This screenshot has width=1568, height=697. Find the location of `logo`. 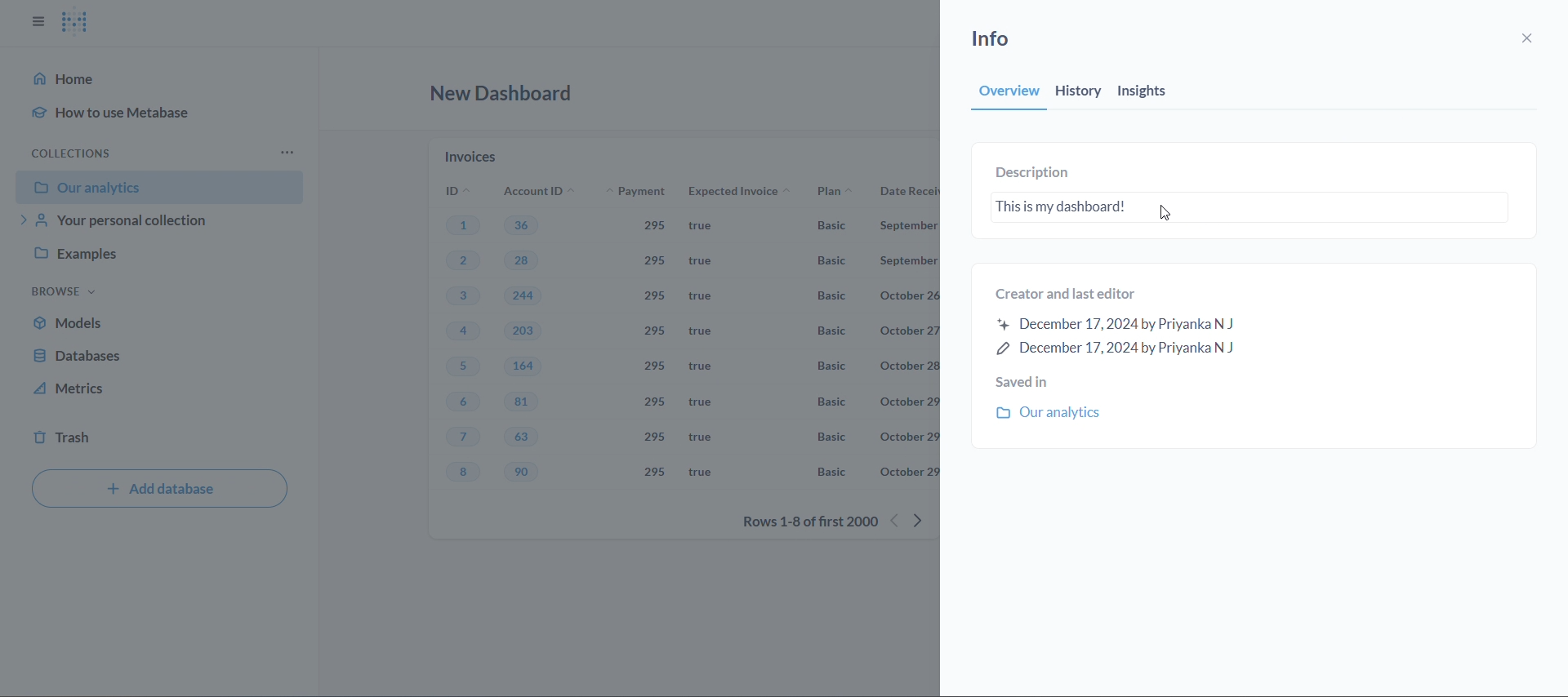

logo is located at coordinates (73, 24).